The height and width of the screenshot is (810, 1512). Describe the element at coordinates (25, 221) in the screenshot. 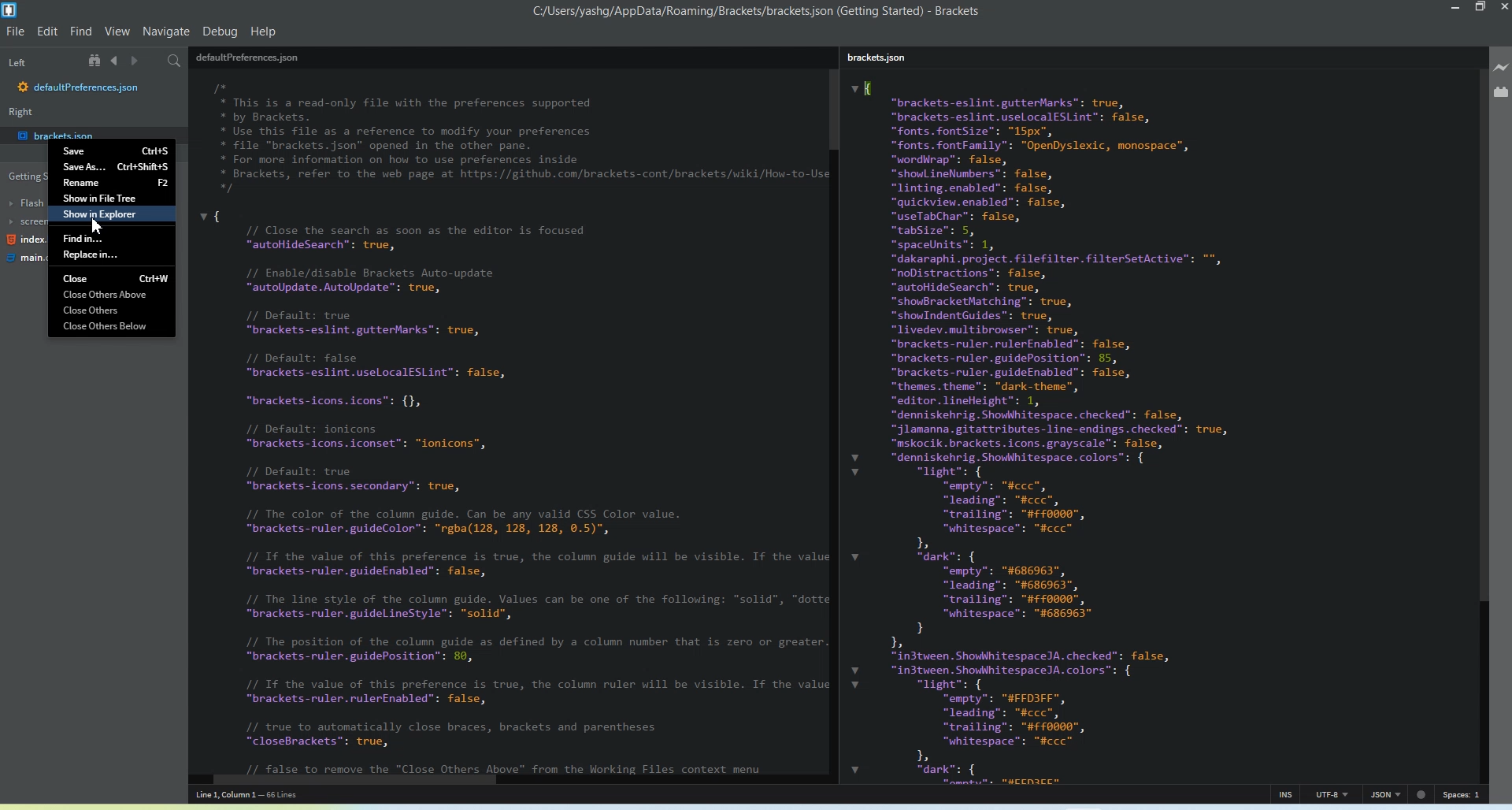

I see `screen` at that location.